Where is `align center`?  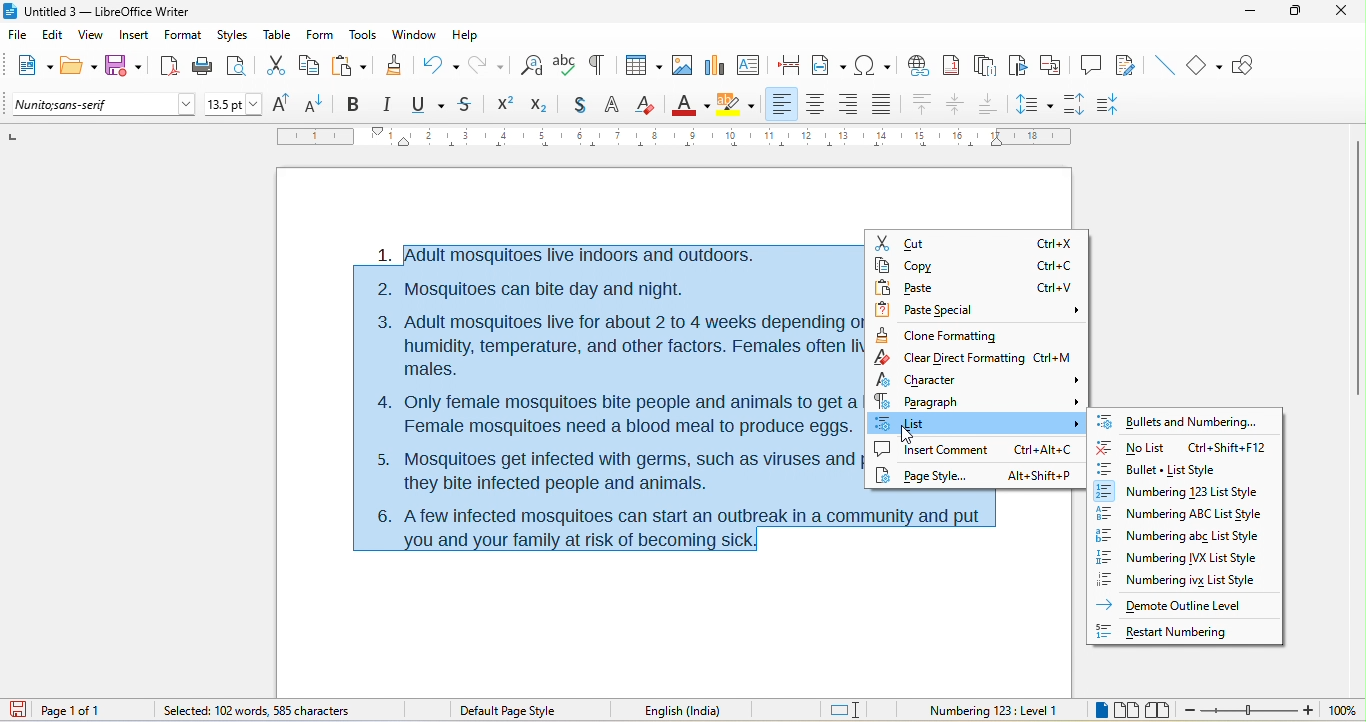 align center is located at coordinates (956, 106).